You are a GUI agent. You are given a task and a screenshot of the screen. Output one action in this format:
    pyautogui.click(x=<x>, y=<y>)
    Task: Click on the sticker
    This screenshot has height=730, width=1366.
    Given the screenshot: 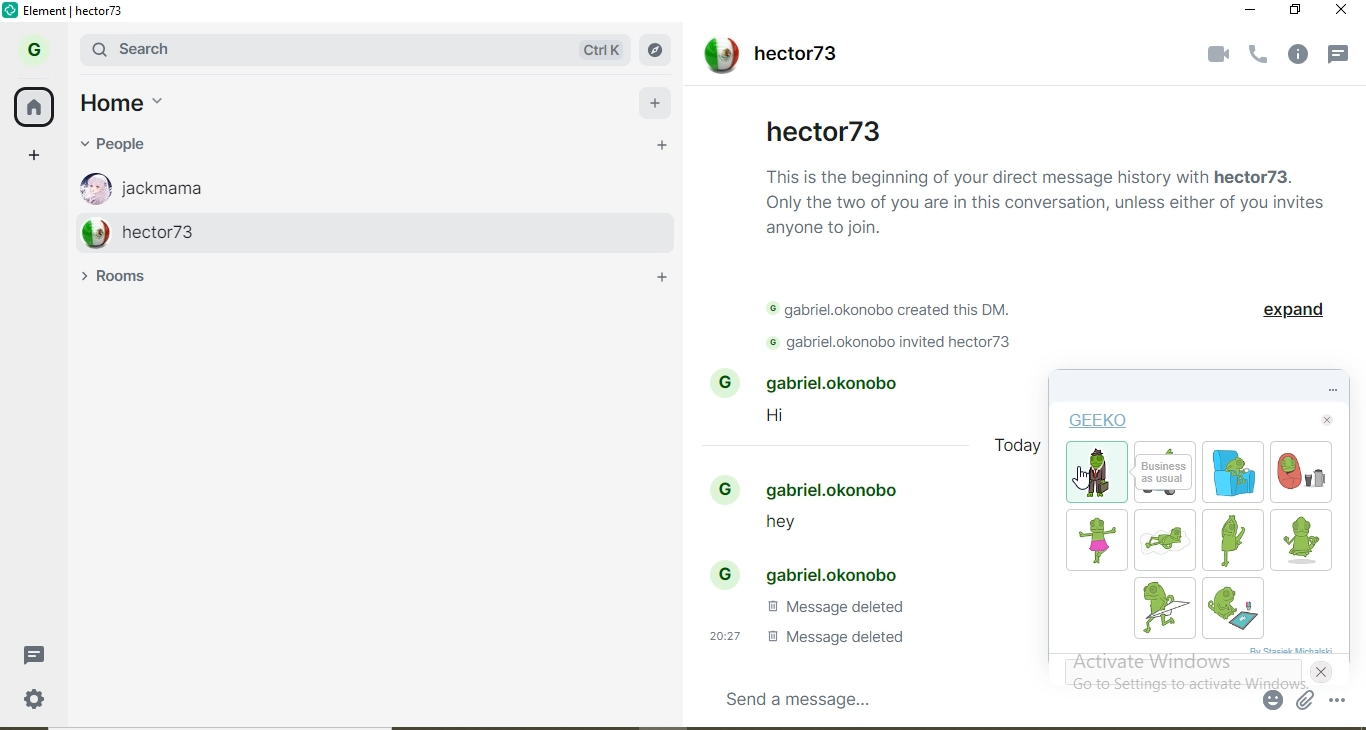 What is the action you would take?
    pyautogui.click(x=1299, y=540)
    